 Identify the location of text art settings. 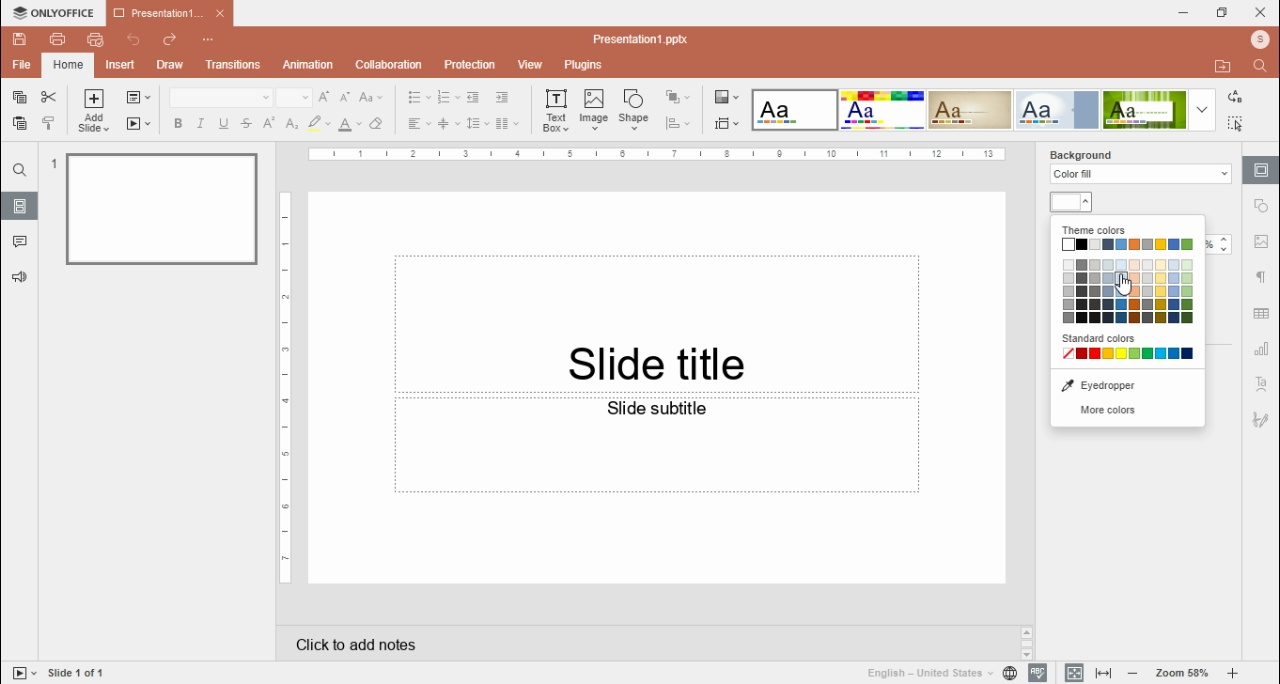
(1262, 385).